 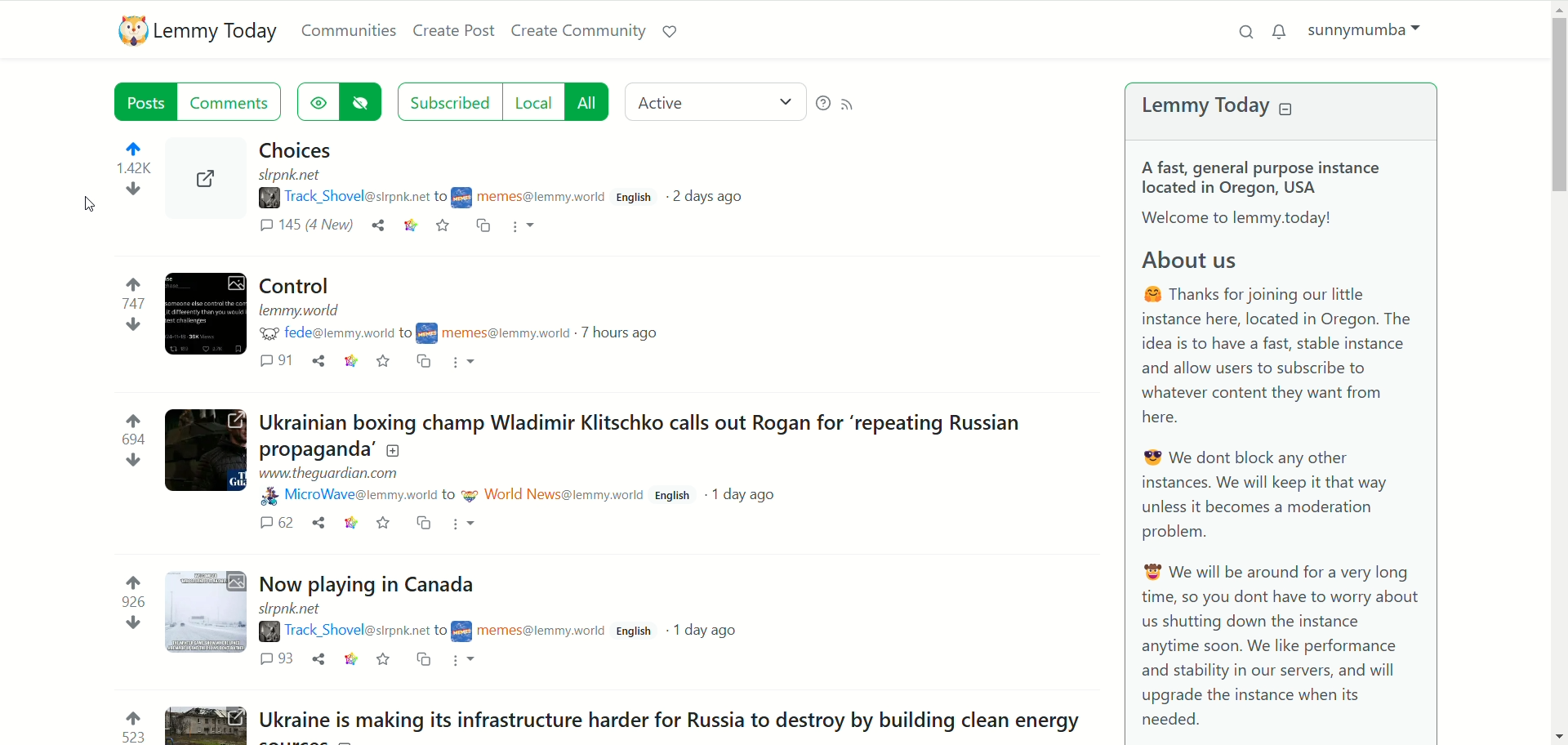 I want to click on lemmy today, so click(x=218, y=33).